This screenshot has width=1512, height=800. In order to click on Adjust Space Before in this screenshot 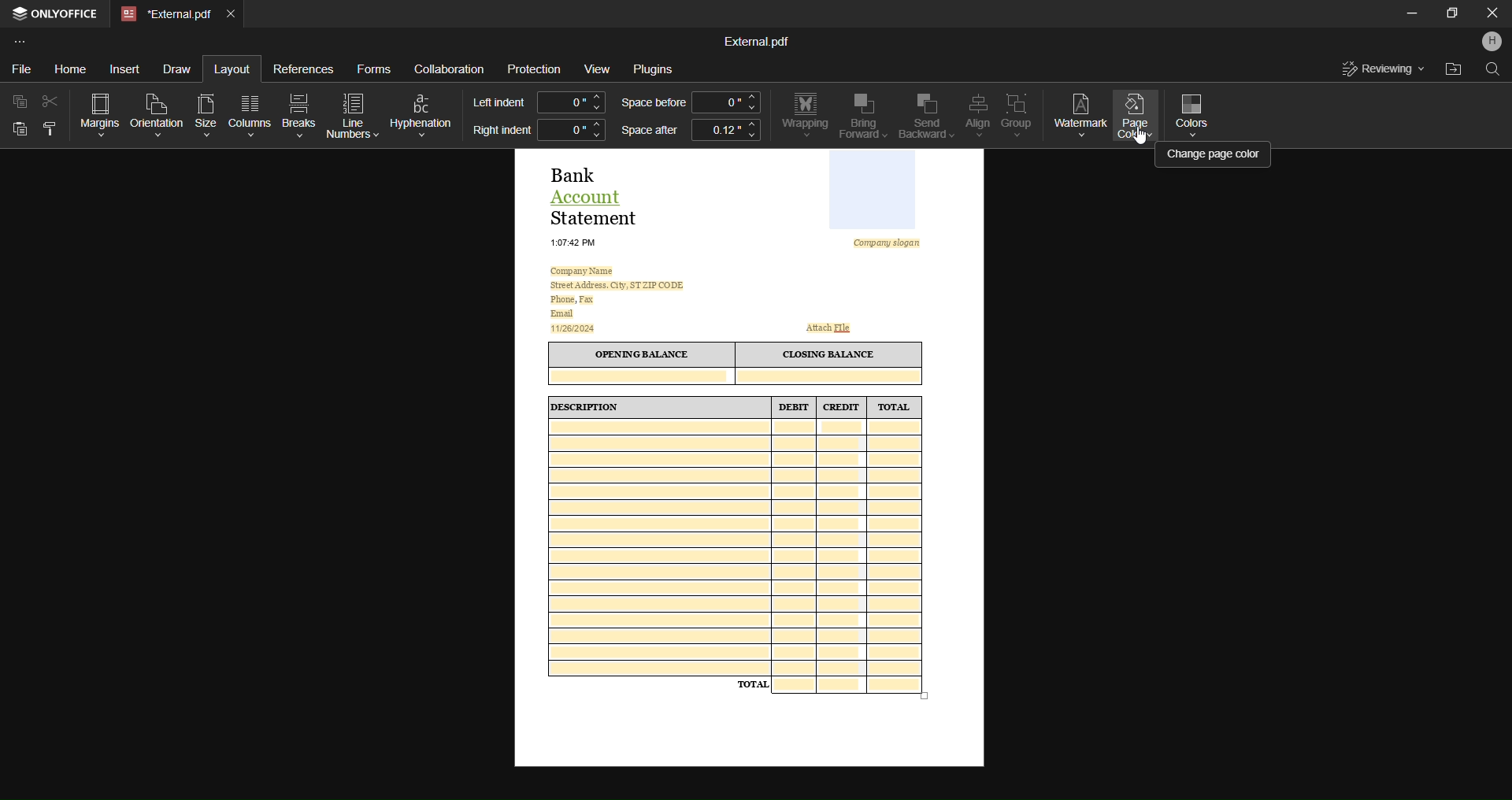, I will do `click(724, 102)`.